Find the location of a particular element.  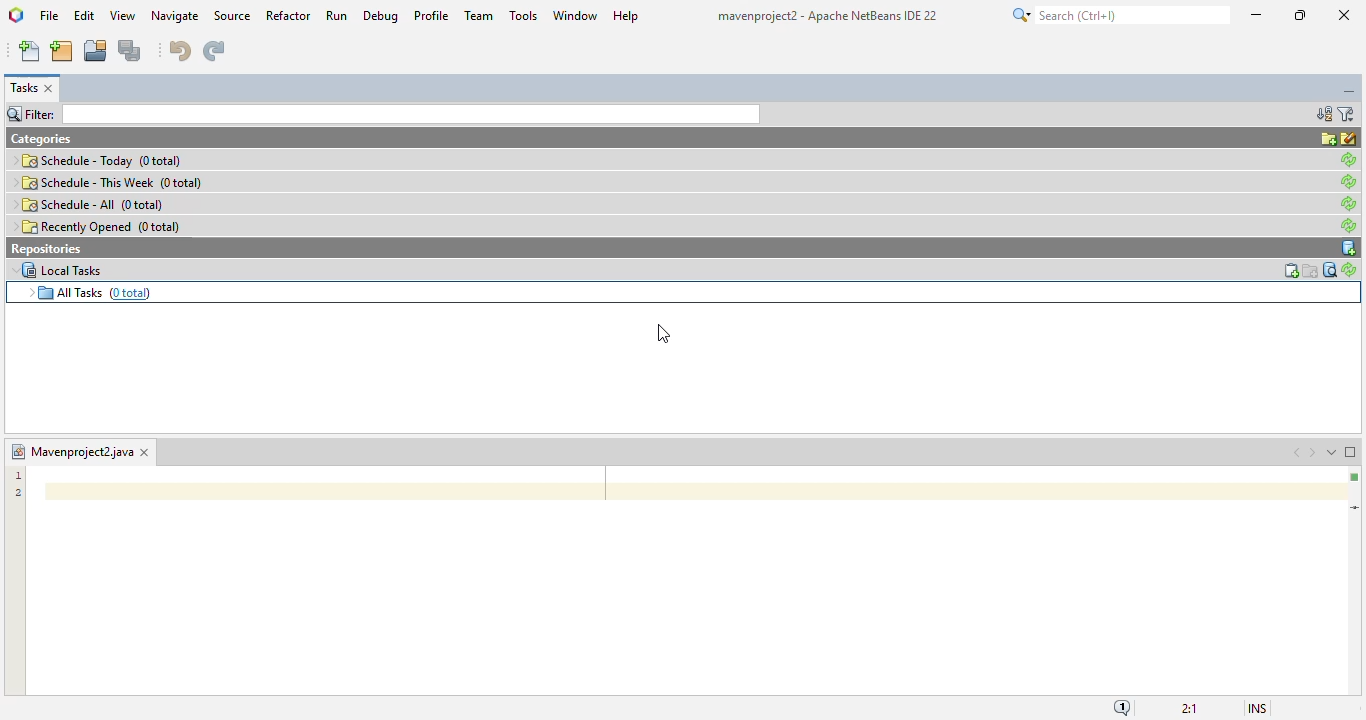

refresh is located at coordinates (1350, 225).